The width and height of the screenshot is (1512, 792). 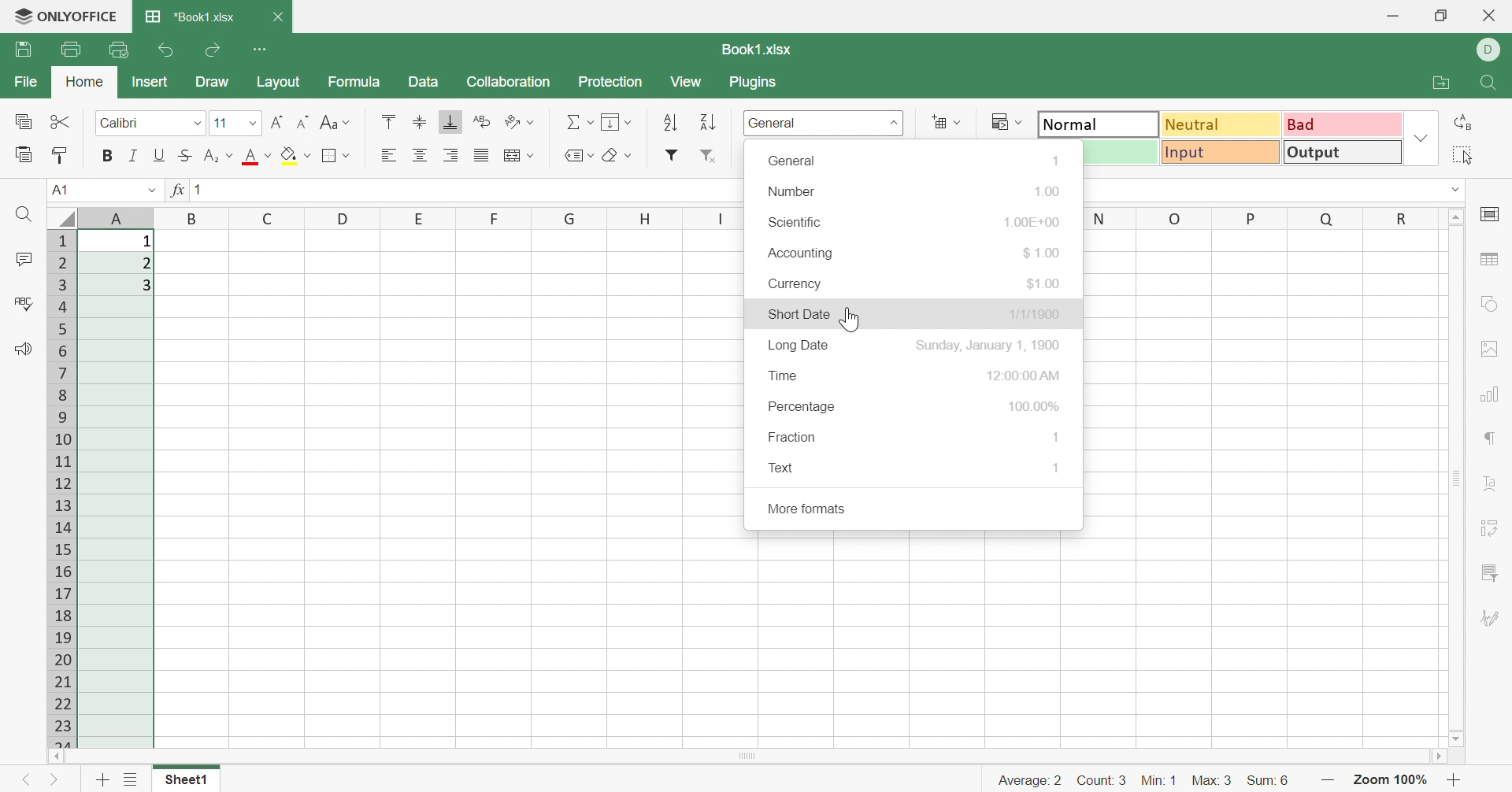 What do you see at coordinates (212, 81) in the screenshot?
I see `Draw` at bounding box center [212, 81].